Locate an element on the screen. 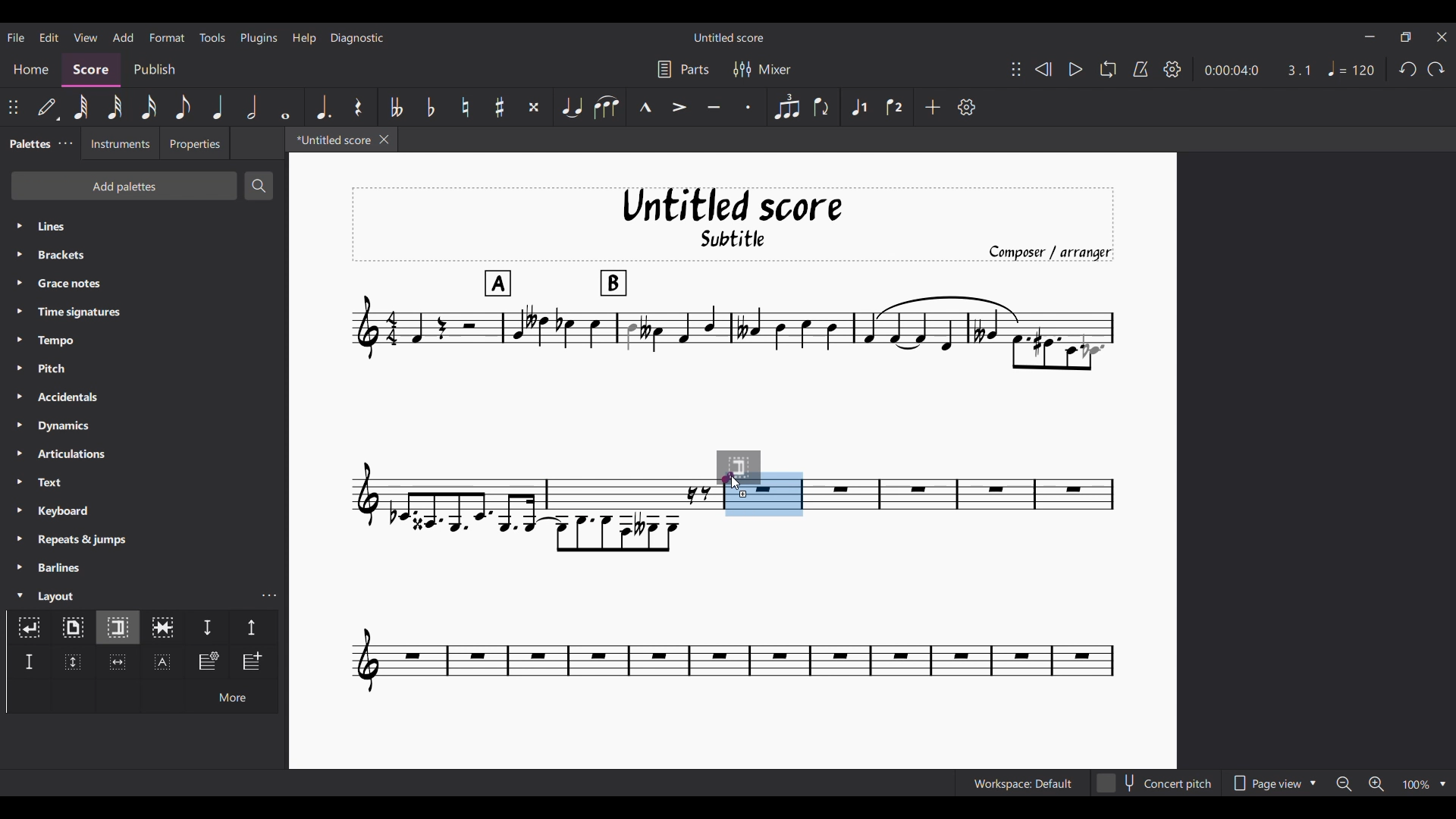 The height and width of the screenshot is (819, 1456). Articulations is located at coordinates (145, 453).